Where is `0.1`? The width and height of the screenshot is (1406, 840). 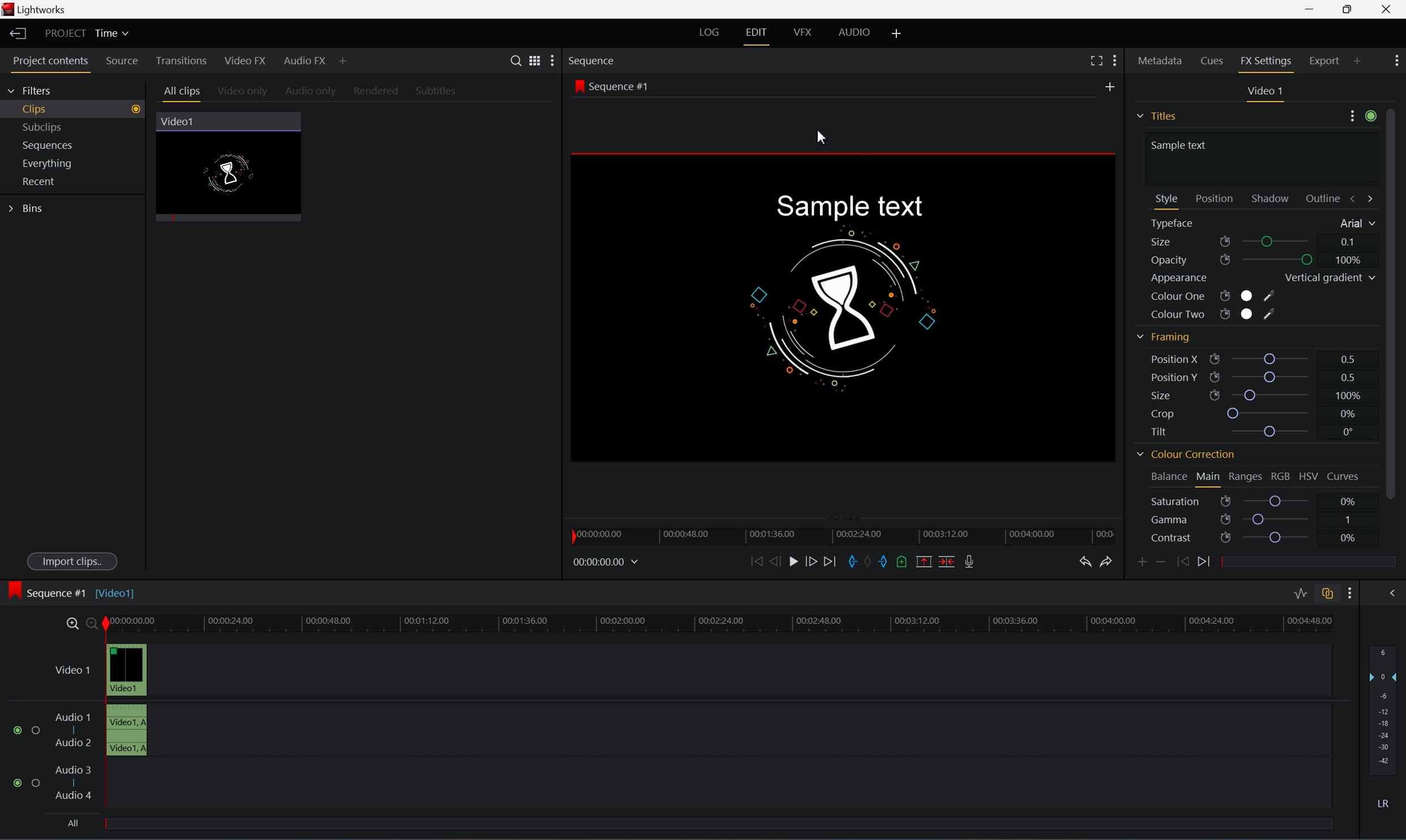
0.1 is located at coordinates (1349, 242).